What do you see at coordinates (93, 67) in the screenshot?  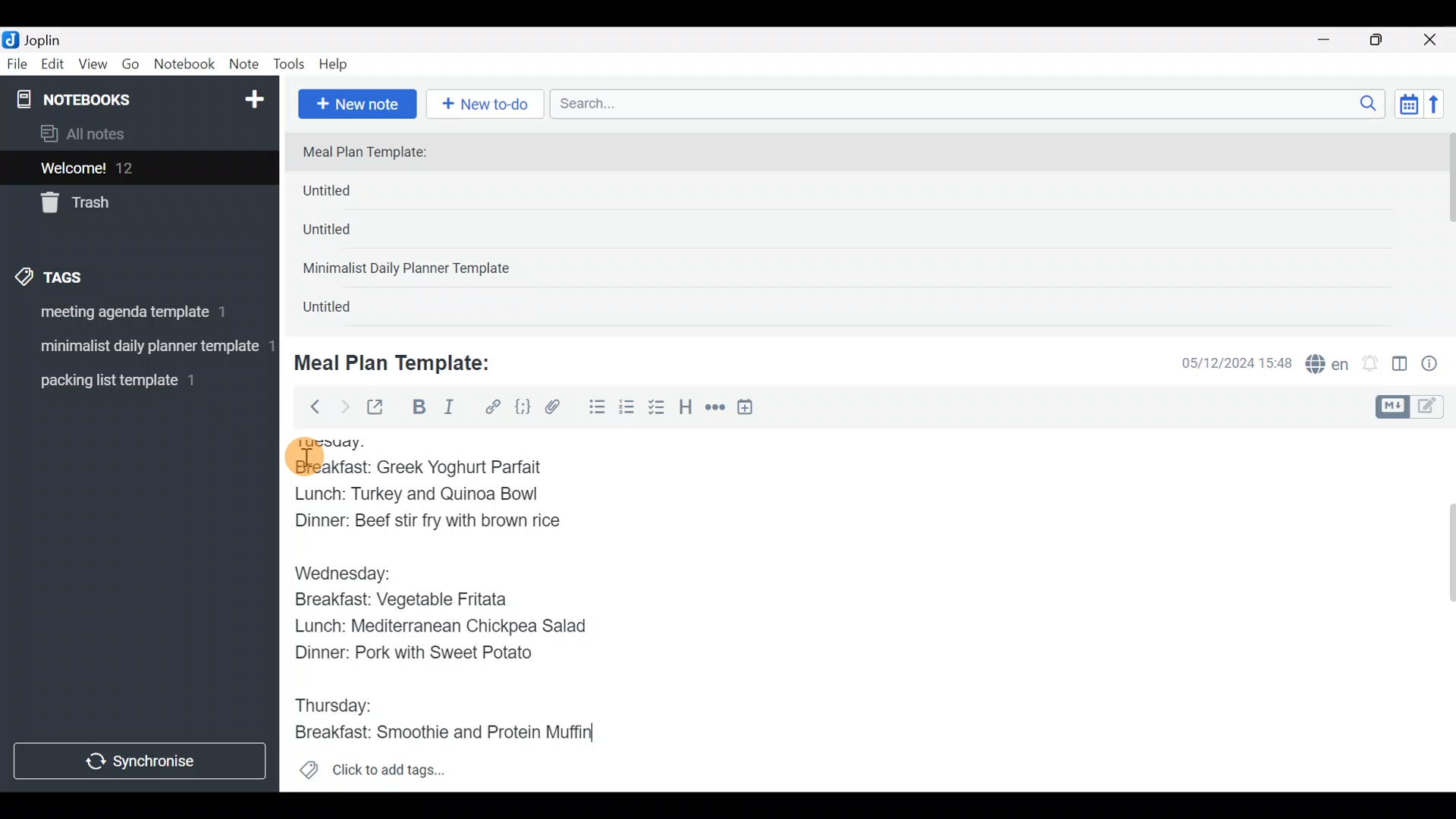 I see `View` at bounding box center [93, 67].